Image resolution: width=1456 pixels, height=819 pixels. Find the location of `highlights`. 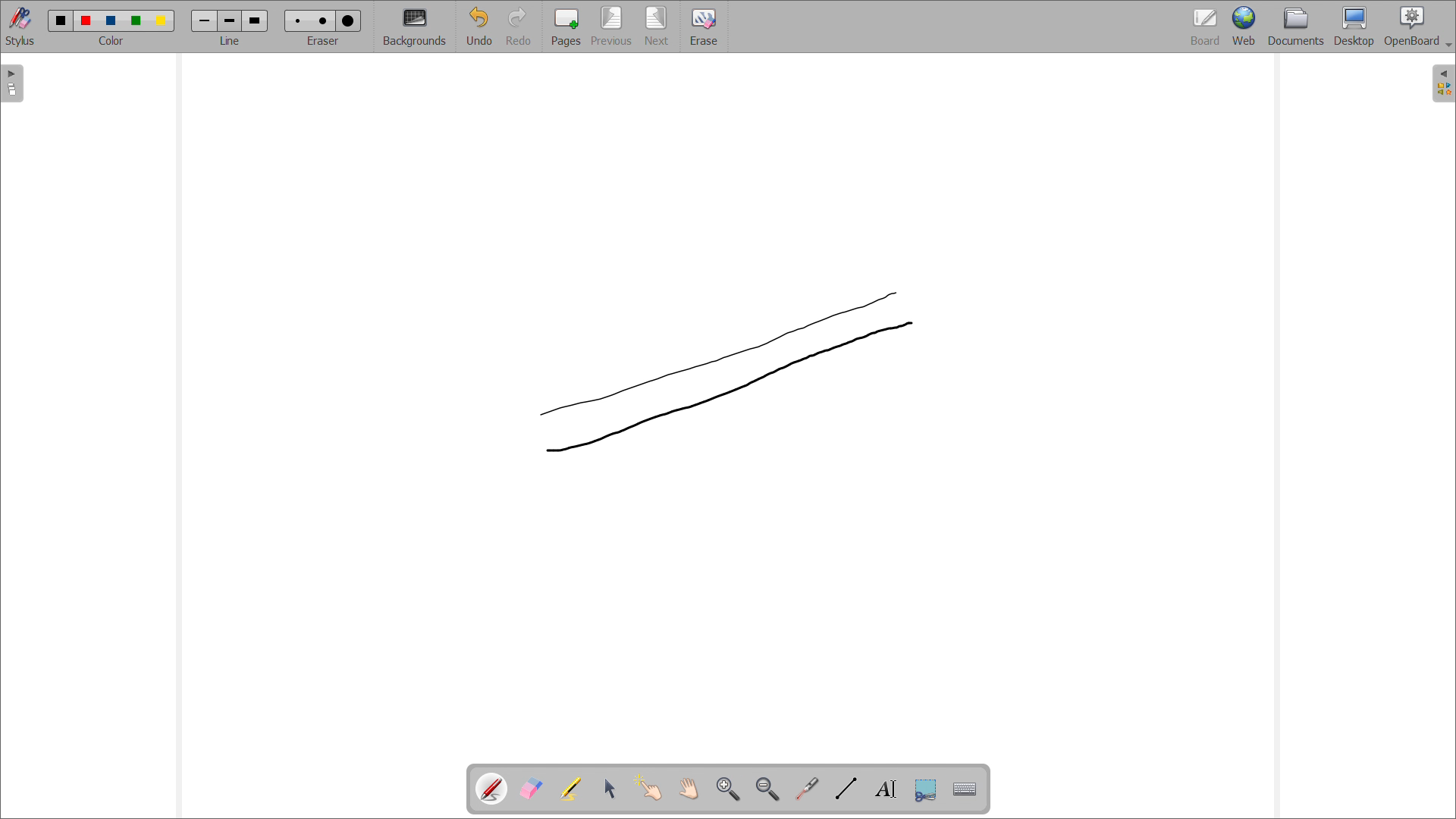

highlights is located at coordinates (571, 789).